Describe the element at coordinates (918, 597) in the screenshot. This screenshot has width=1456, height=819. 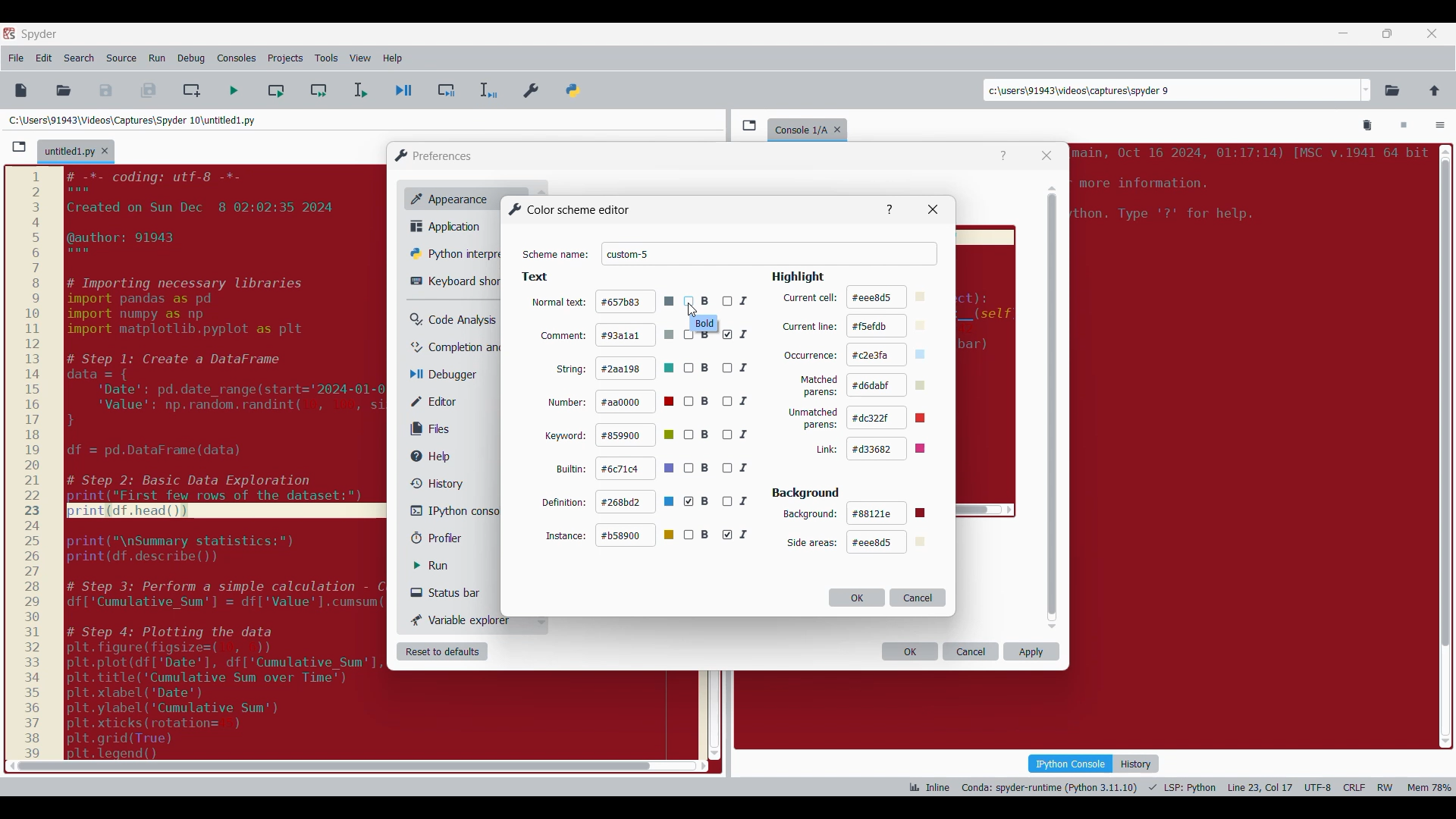
I see `Cancel` at that location.